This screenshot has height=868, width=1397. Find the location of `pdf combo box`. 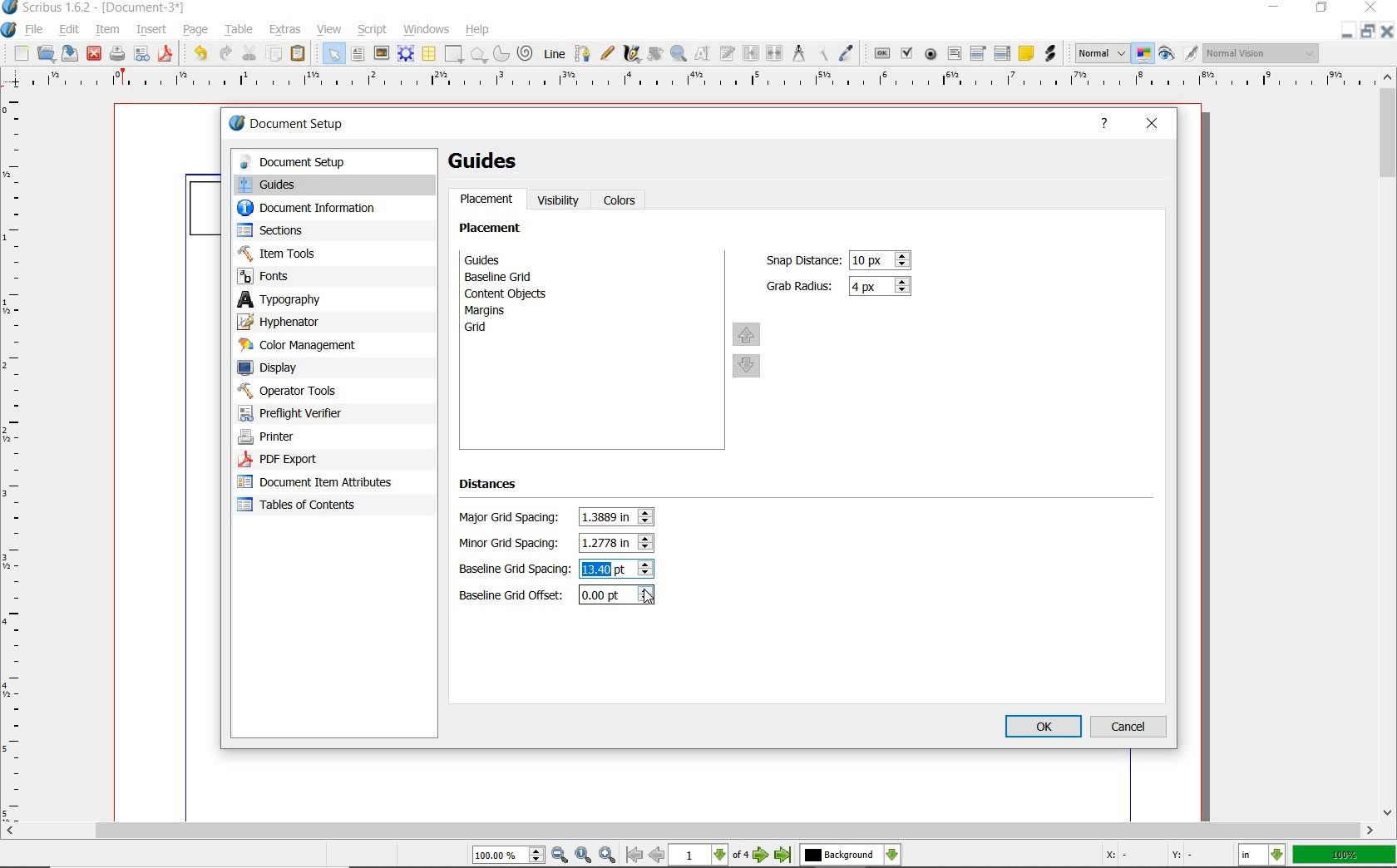

pdf combo box is located at coordinates (978, 52).